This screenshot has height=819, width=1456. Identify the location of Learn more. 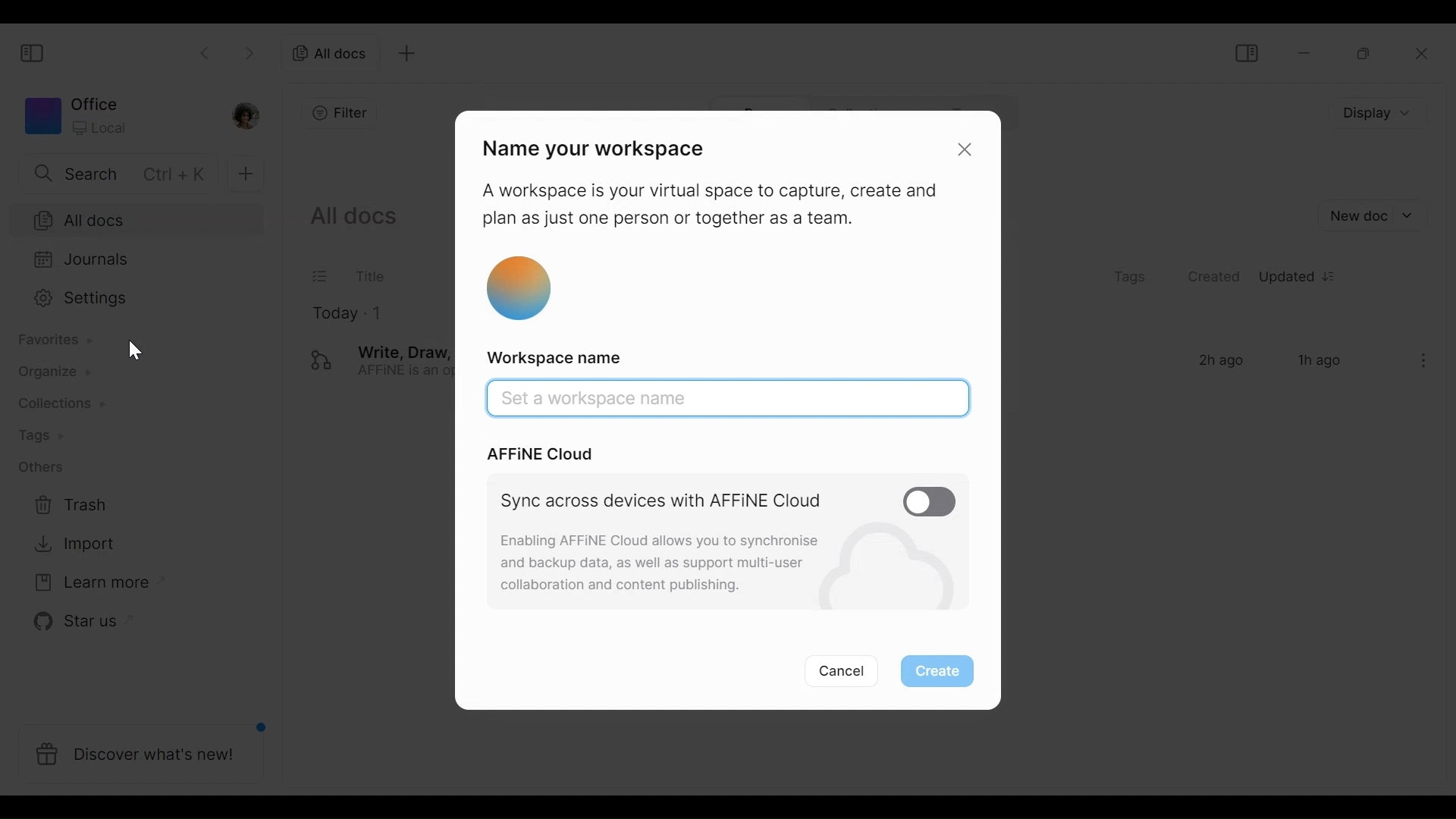
(92, 579).